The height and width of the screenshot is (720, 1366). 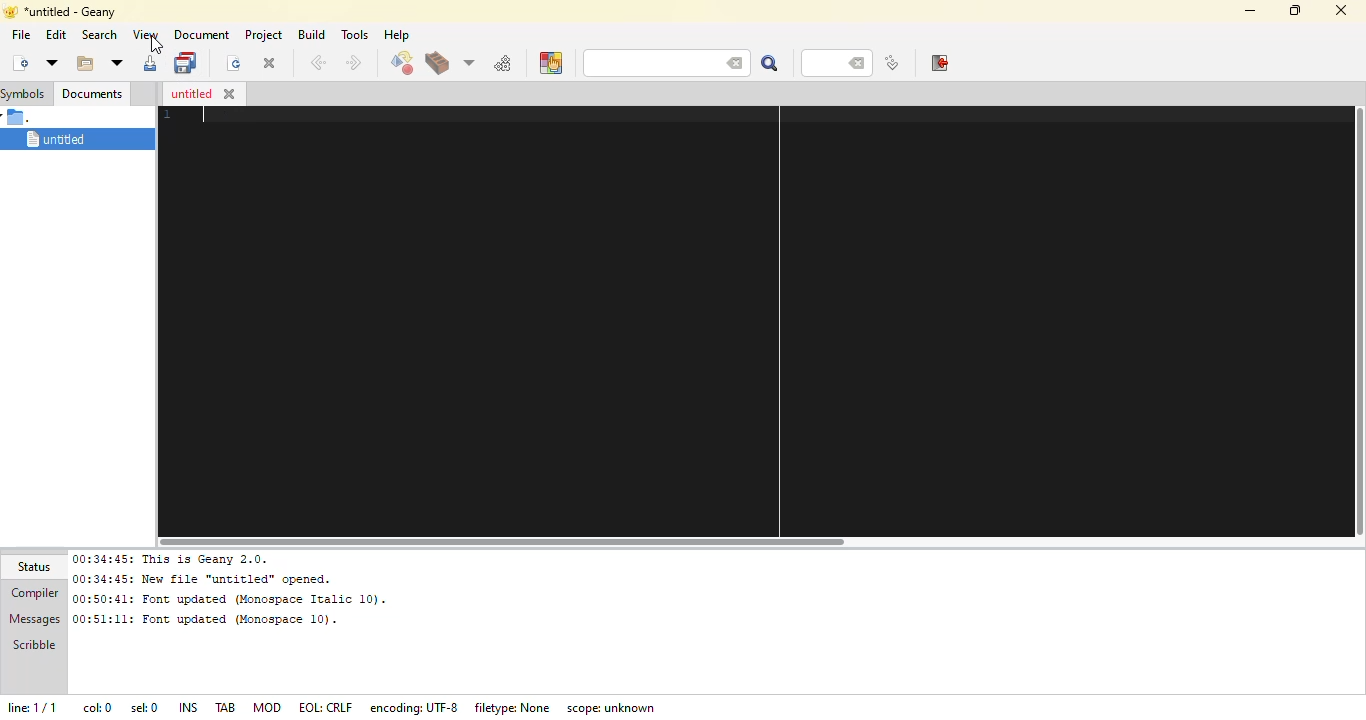 What do you see at coordinates (311, 34) in the screenshot?
I see `build` at bounding box center [311, 34].